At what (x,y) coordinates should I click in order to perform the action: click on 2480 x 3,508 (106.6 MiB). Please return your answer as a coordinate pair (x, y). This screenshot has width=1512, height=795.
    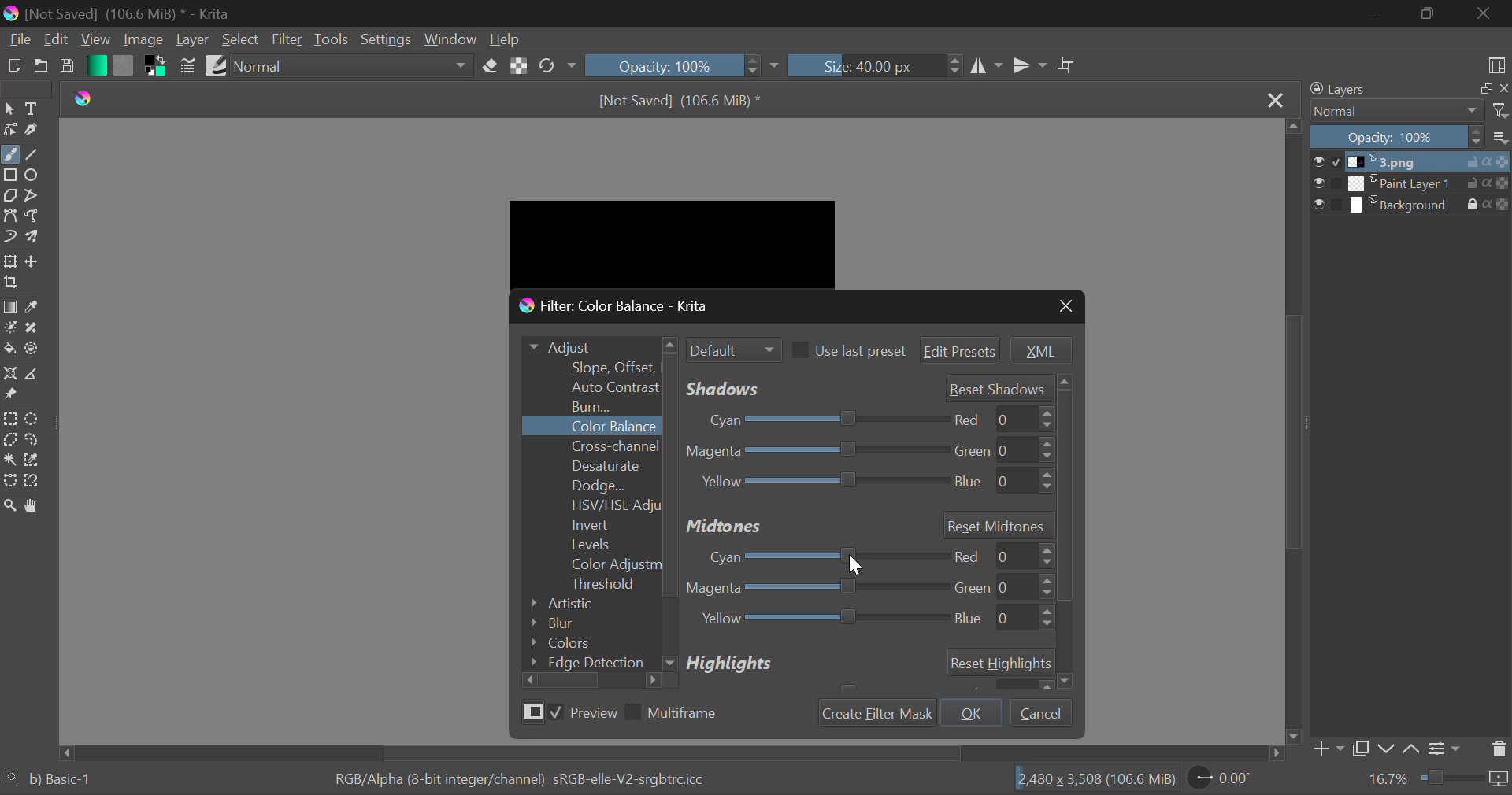
    Looking at the image, I should click on (1089, 782).